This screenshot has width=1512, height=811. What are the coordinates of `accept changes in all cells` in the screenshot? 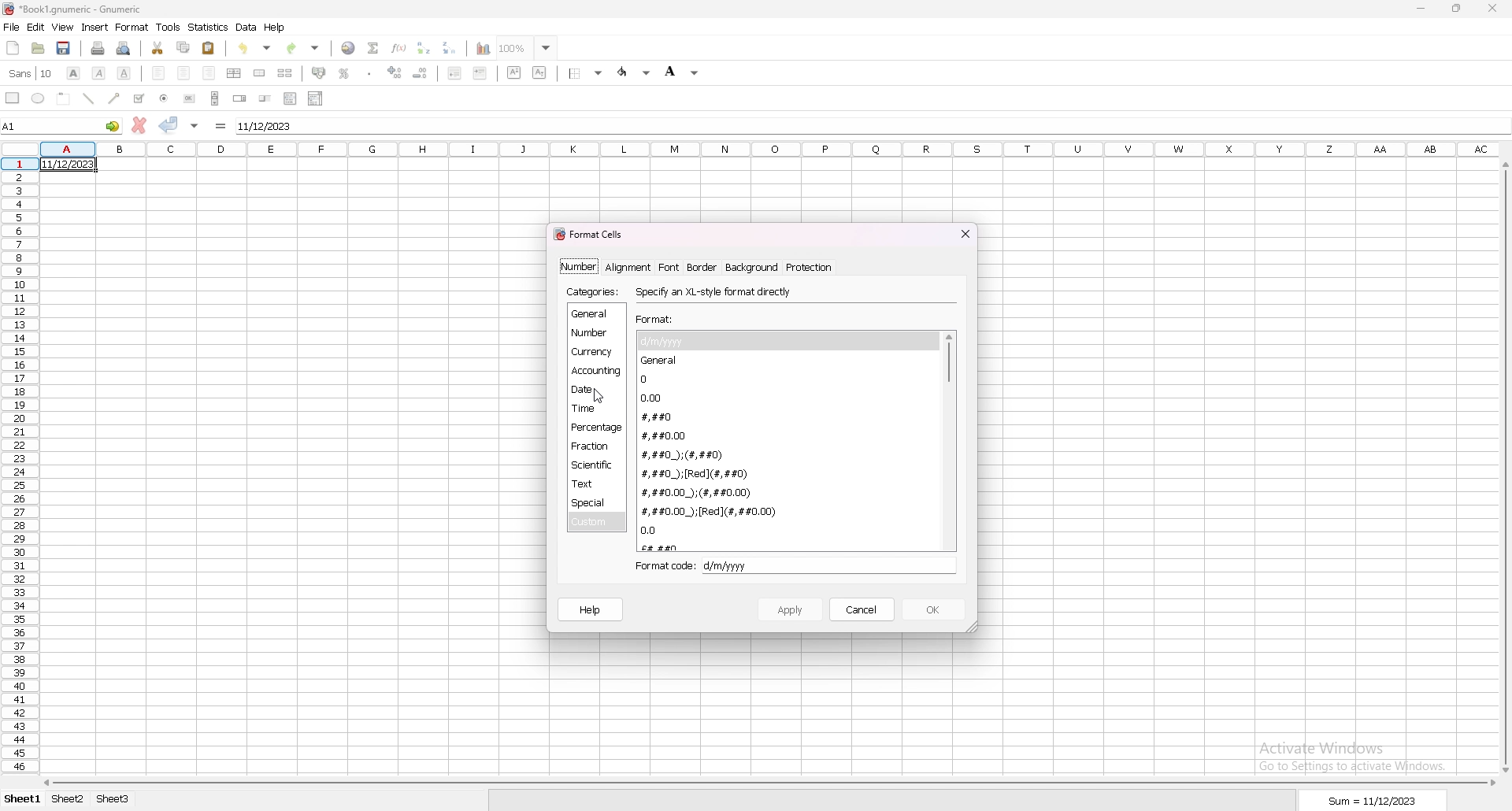 It's located at (195, 125).